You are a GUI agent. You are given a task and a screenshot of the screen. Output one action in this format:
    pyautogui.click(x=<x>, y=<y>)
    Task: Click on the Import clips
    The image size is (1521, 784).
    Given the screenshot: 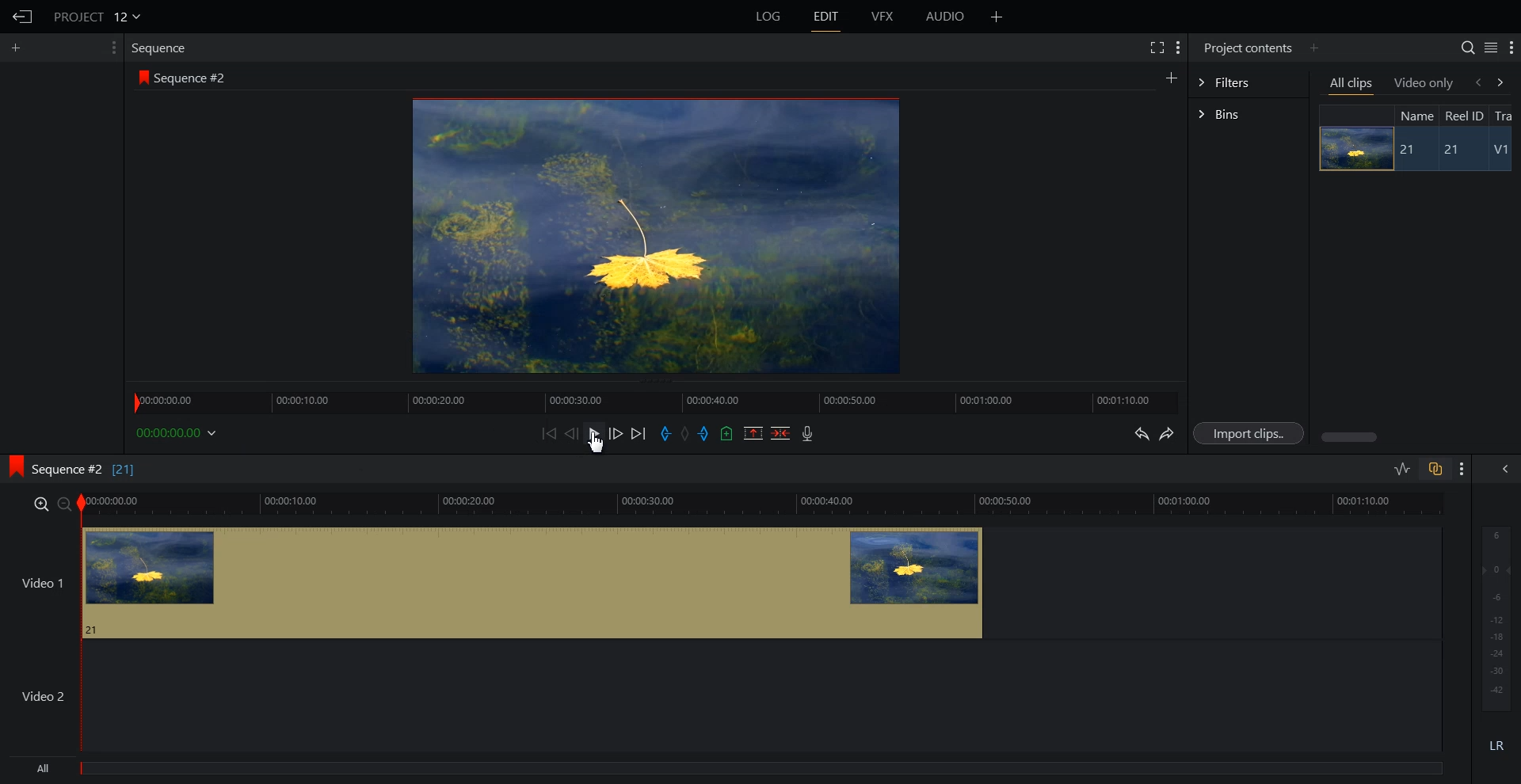 What is the action you would take?
    pyautogui.click(x=1252, y=434)
    